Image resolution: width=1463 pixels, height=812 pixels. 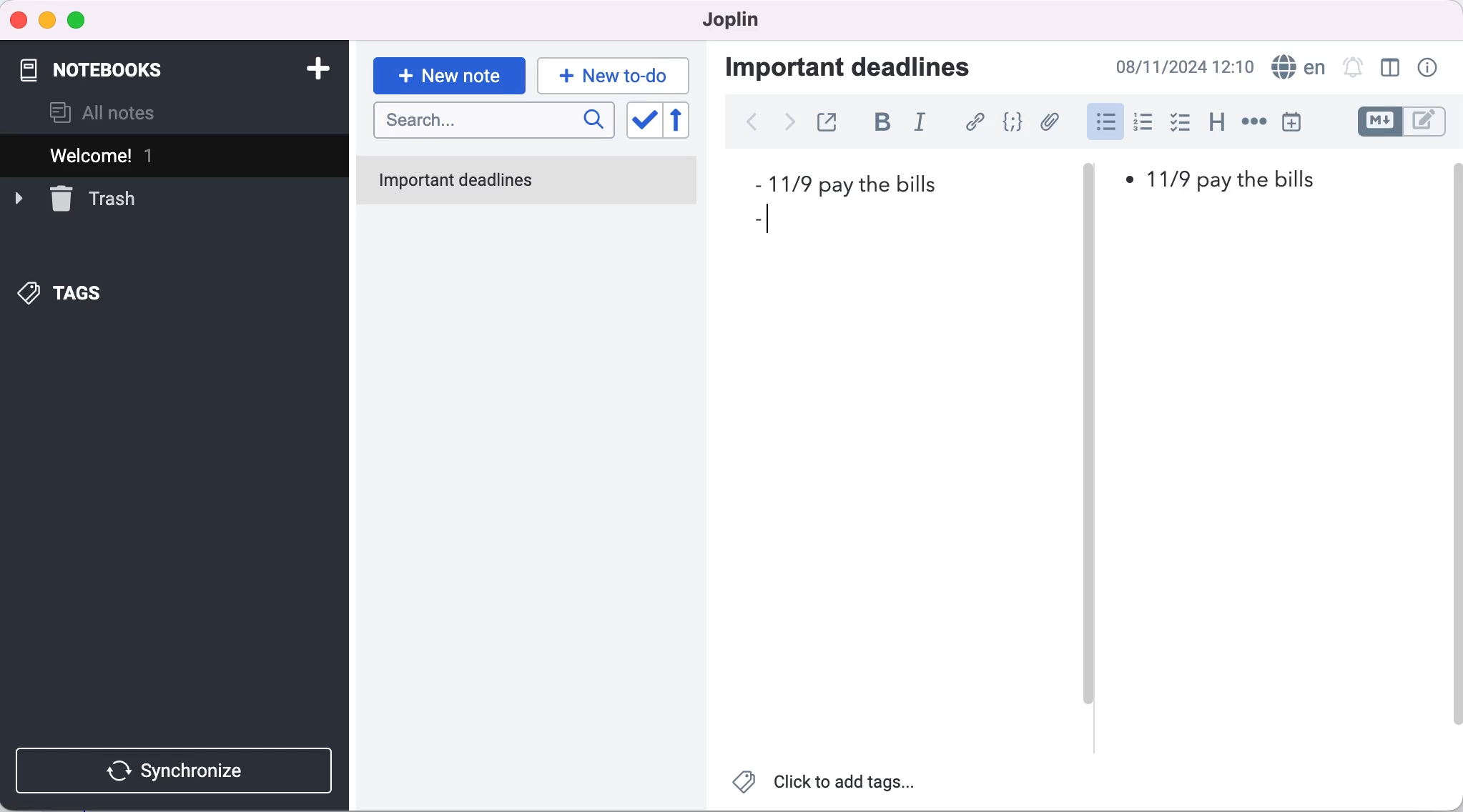 What do you see at coordinates (863, 70) in the screenshot?
I see `important deadlines` at bounding box center [863, 70].